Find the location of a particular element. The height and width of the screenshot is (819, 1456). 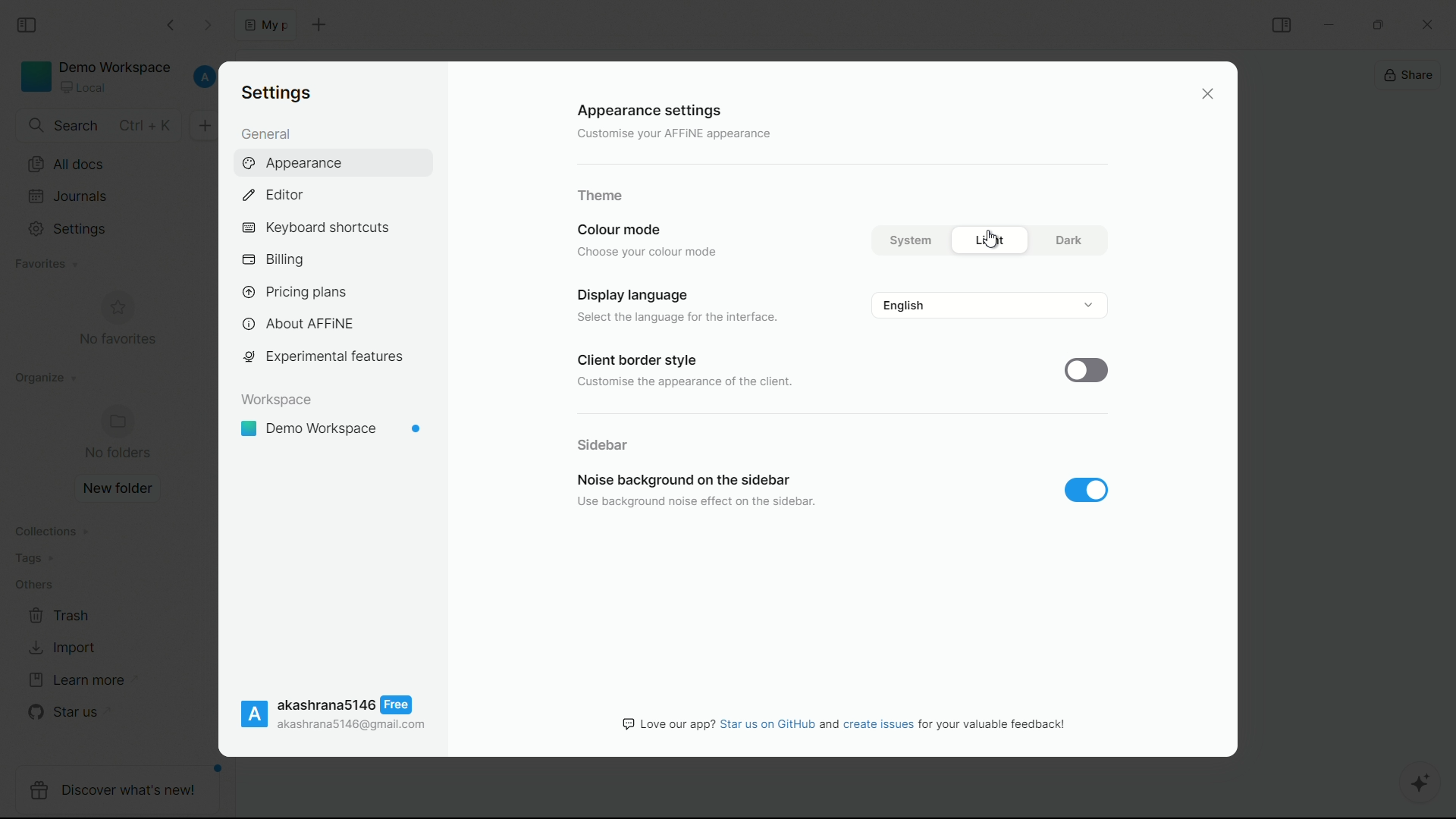

Profile image is located at coordinates (254, 714).